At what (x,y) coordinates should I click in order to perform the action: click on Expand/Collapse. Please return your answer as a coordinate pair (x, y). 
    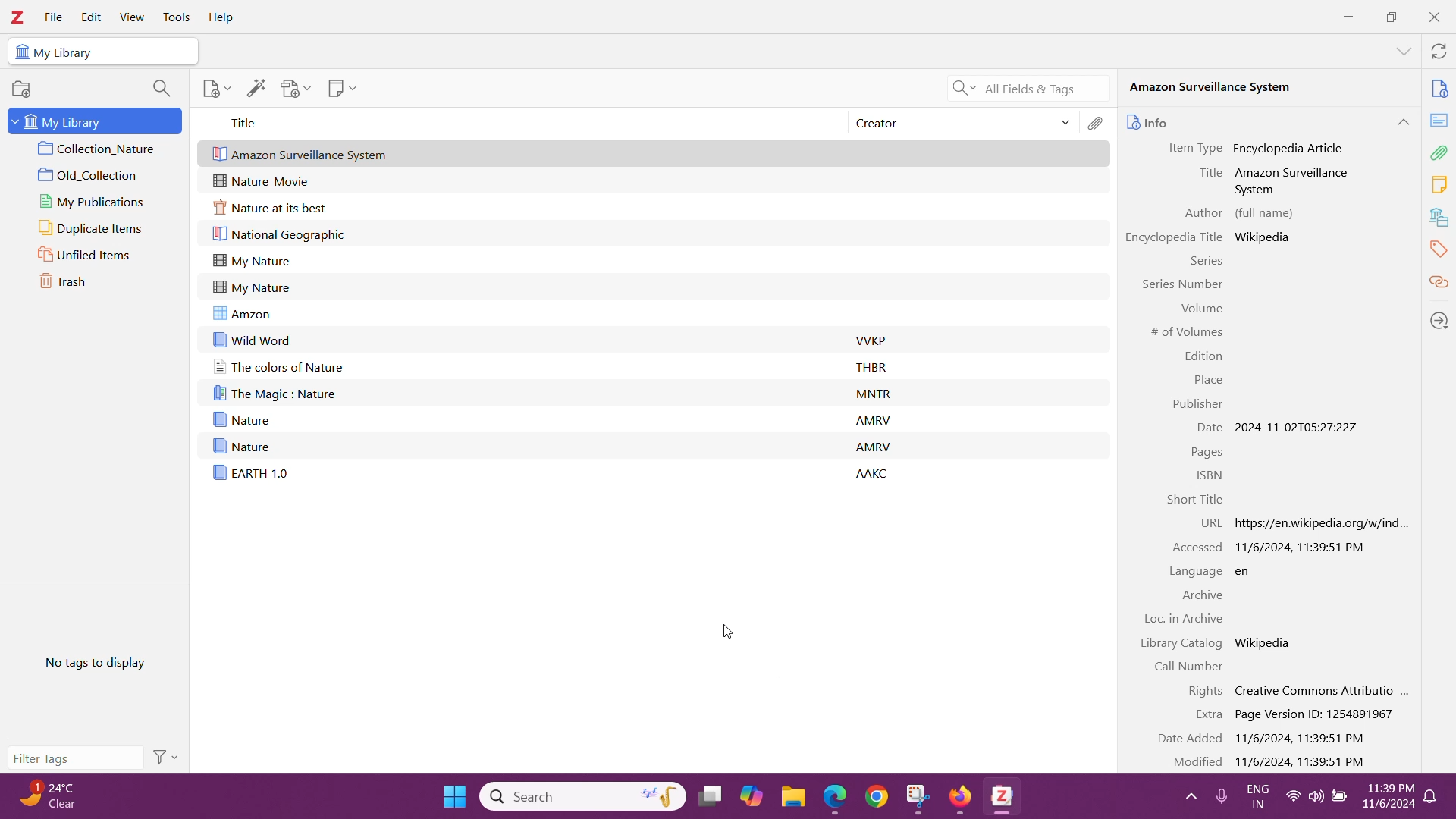
    Looking at the image, I should click on (14, 121).